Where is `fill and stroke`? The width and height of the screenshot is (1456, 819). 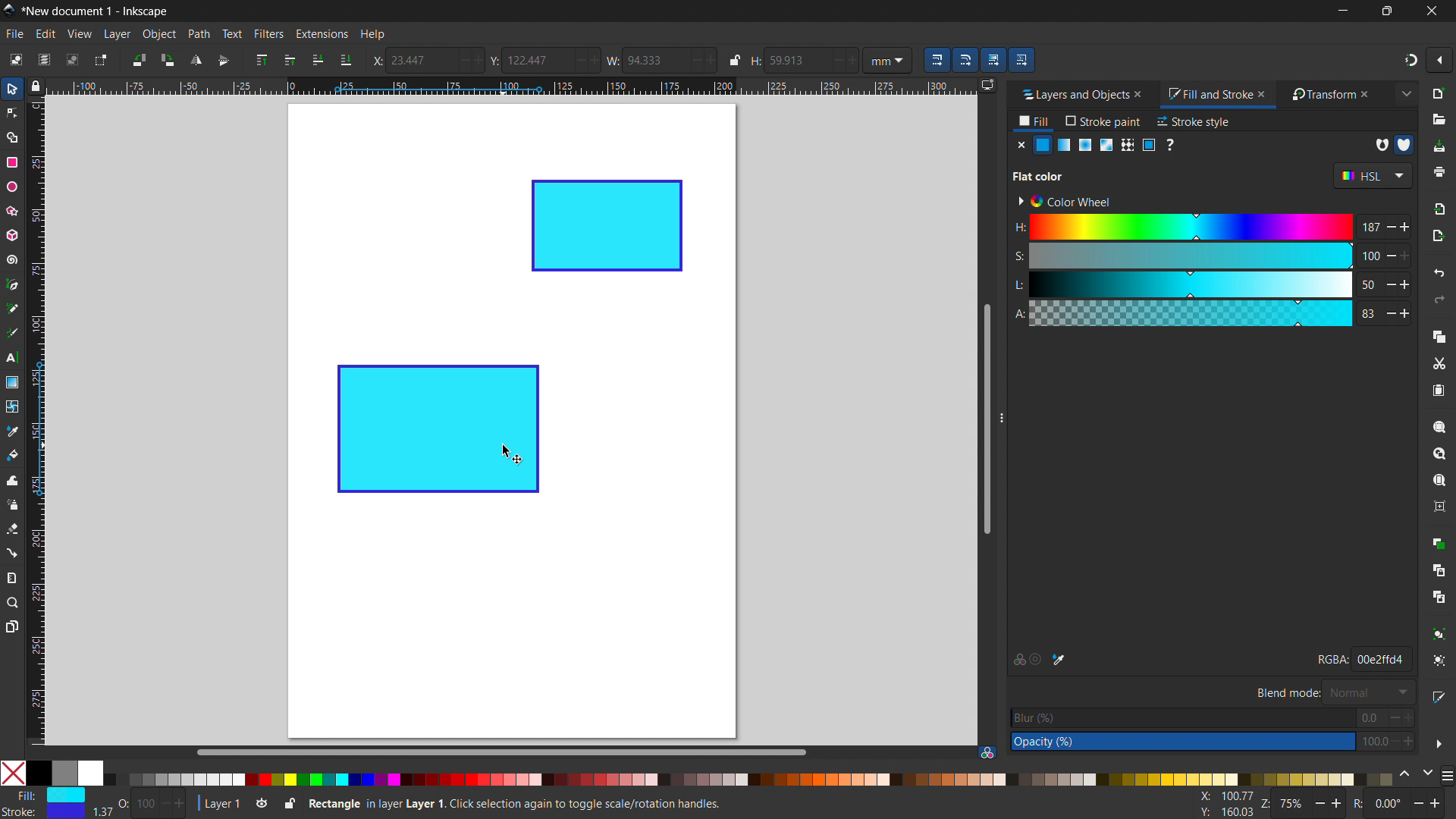 fill and stroke is located at coordinates (1208, 95).